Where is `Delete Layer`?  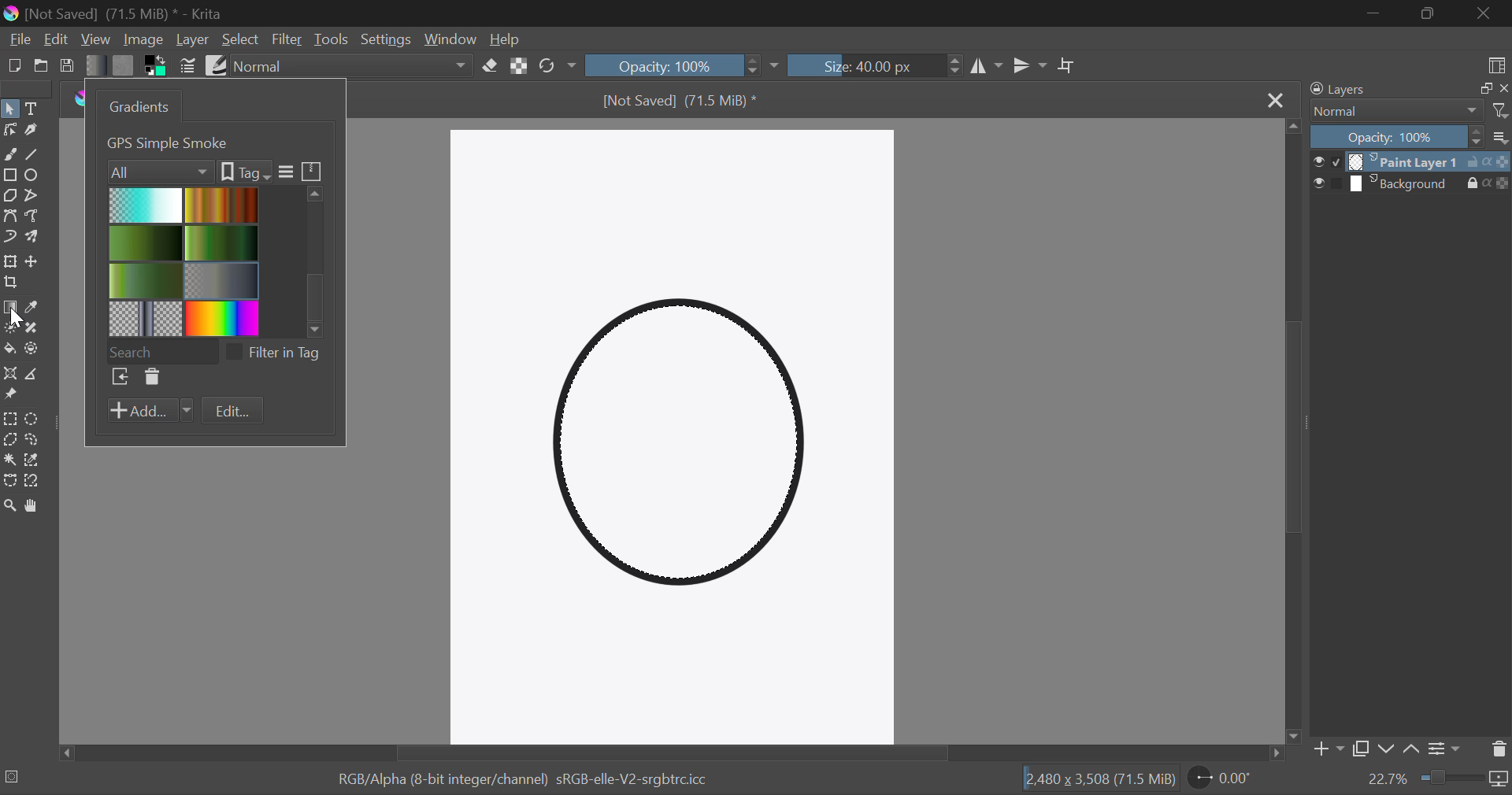
Delete Layer is located at coordinates (1499, 752).